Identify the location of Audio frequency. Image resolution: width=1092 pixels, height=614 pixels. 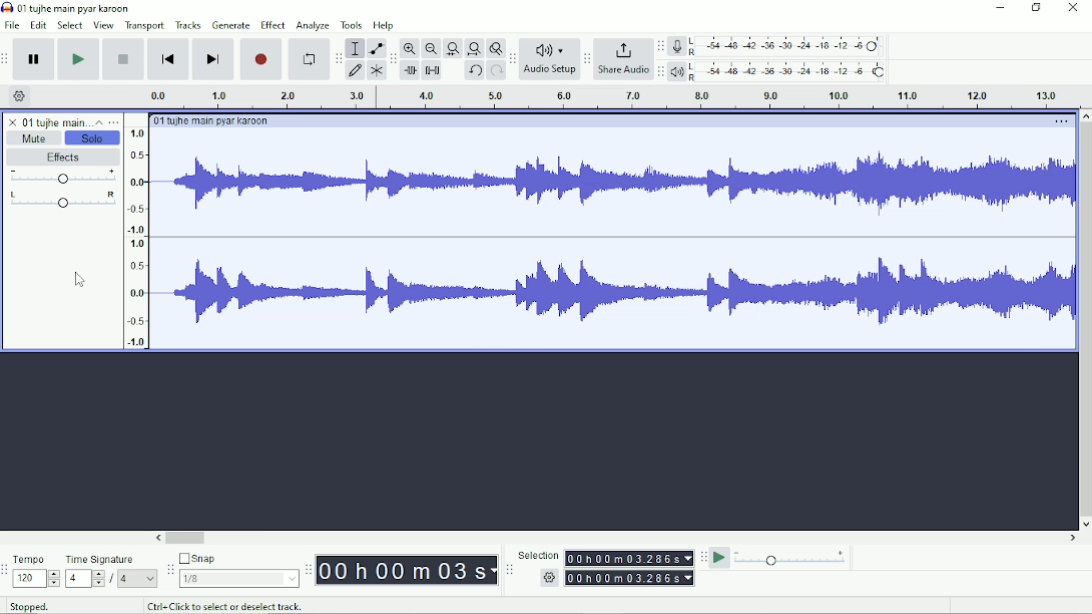
(612, 239).